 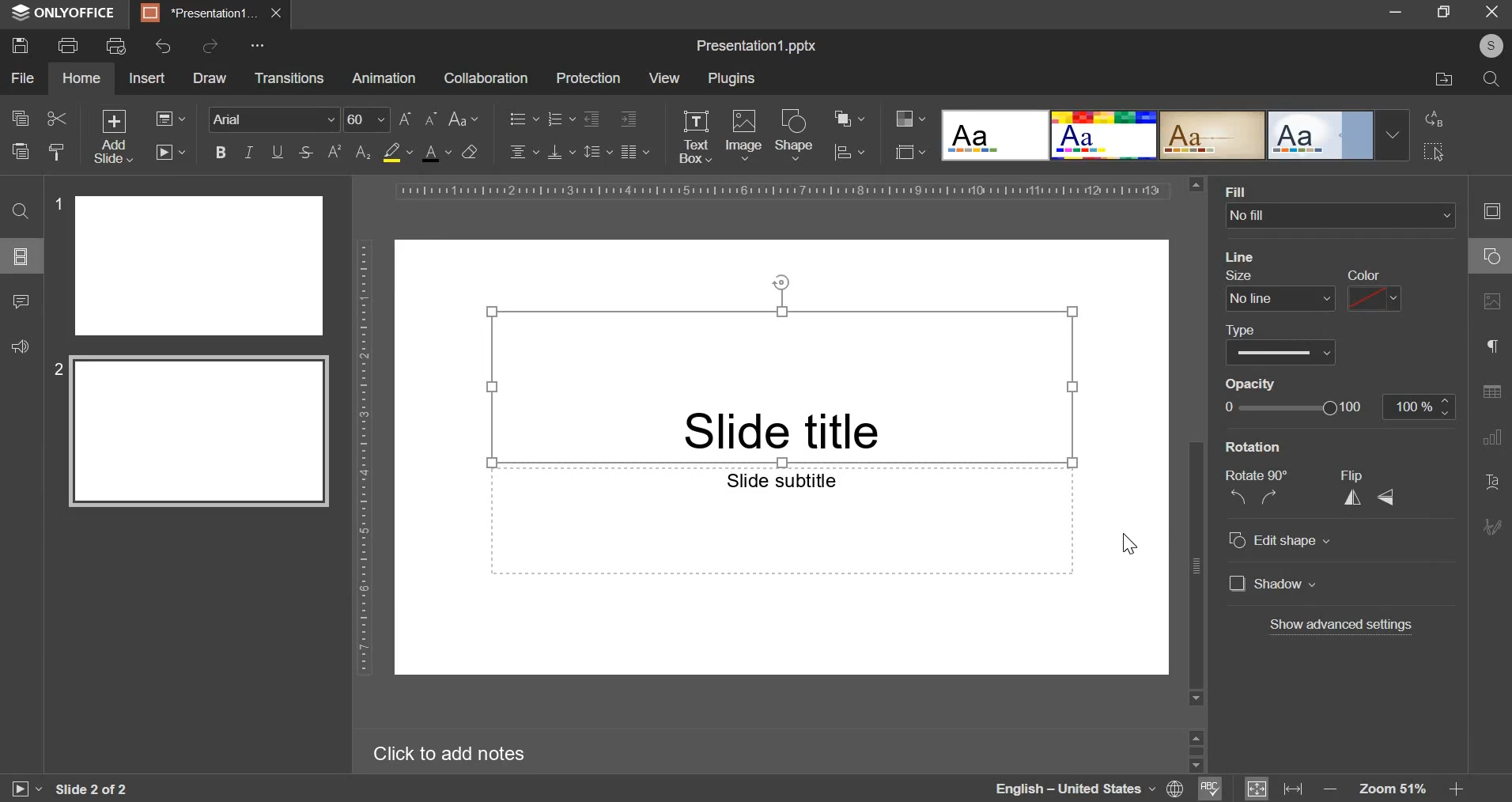 I want to click on rotation, so click(x=1249, y=449).